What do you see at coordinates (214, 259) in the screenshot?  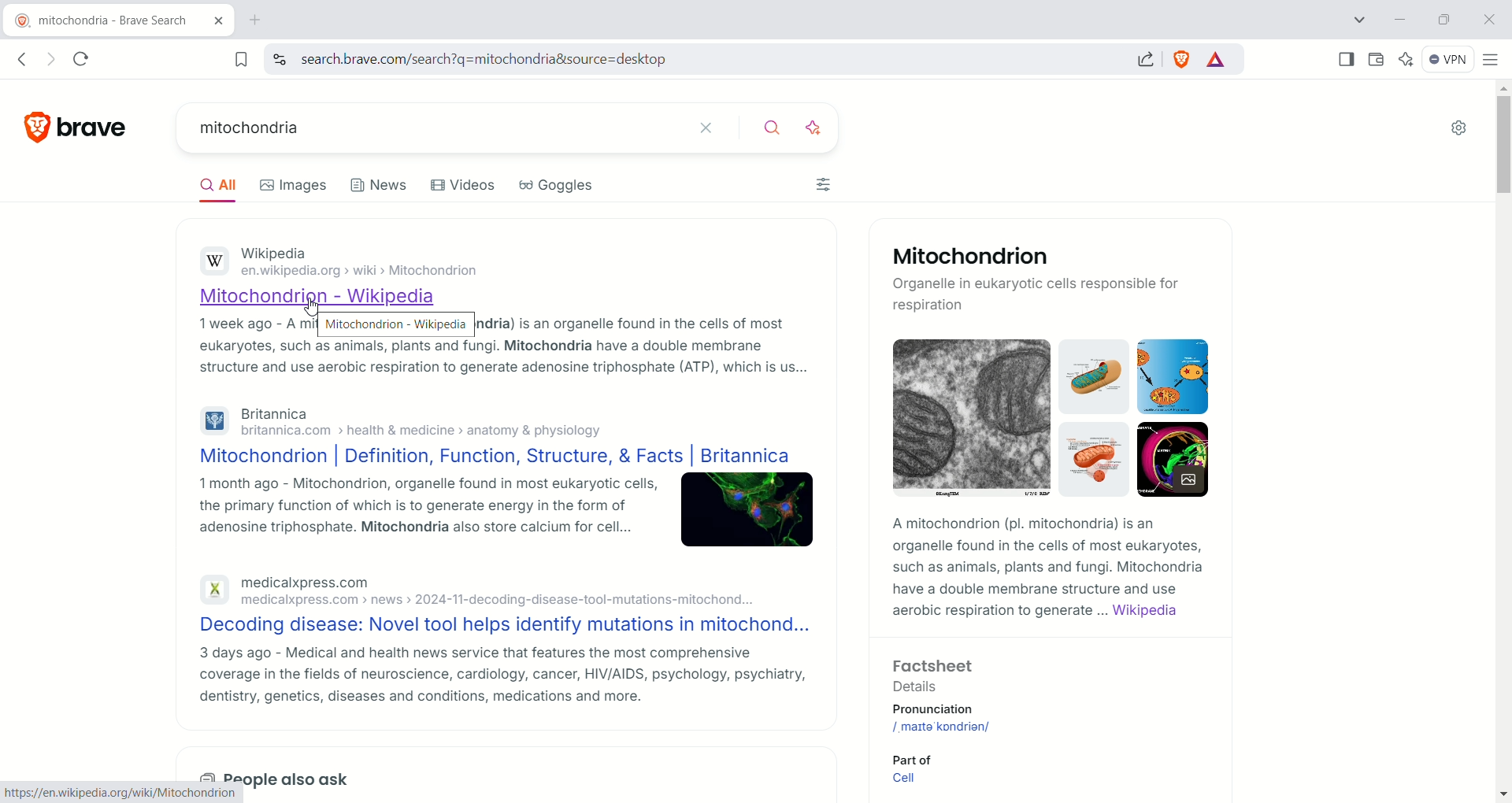 I see `Wikipedia logo` at bounding box center [214, 259].